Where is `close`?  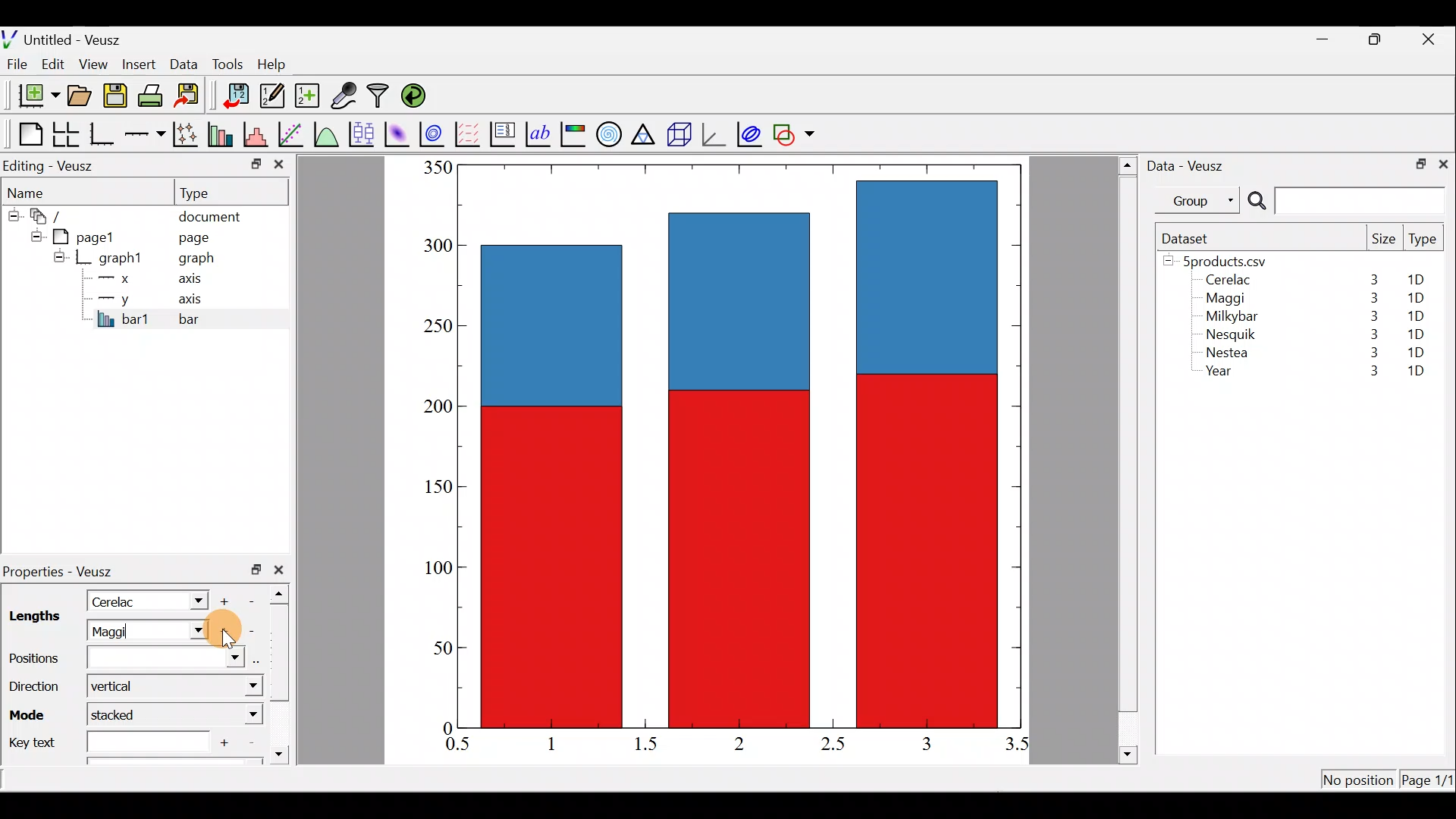
close is located at coordinates (282, 570).